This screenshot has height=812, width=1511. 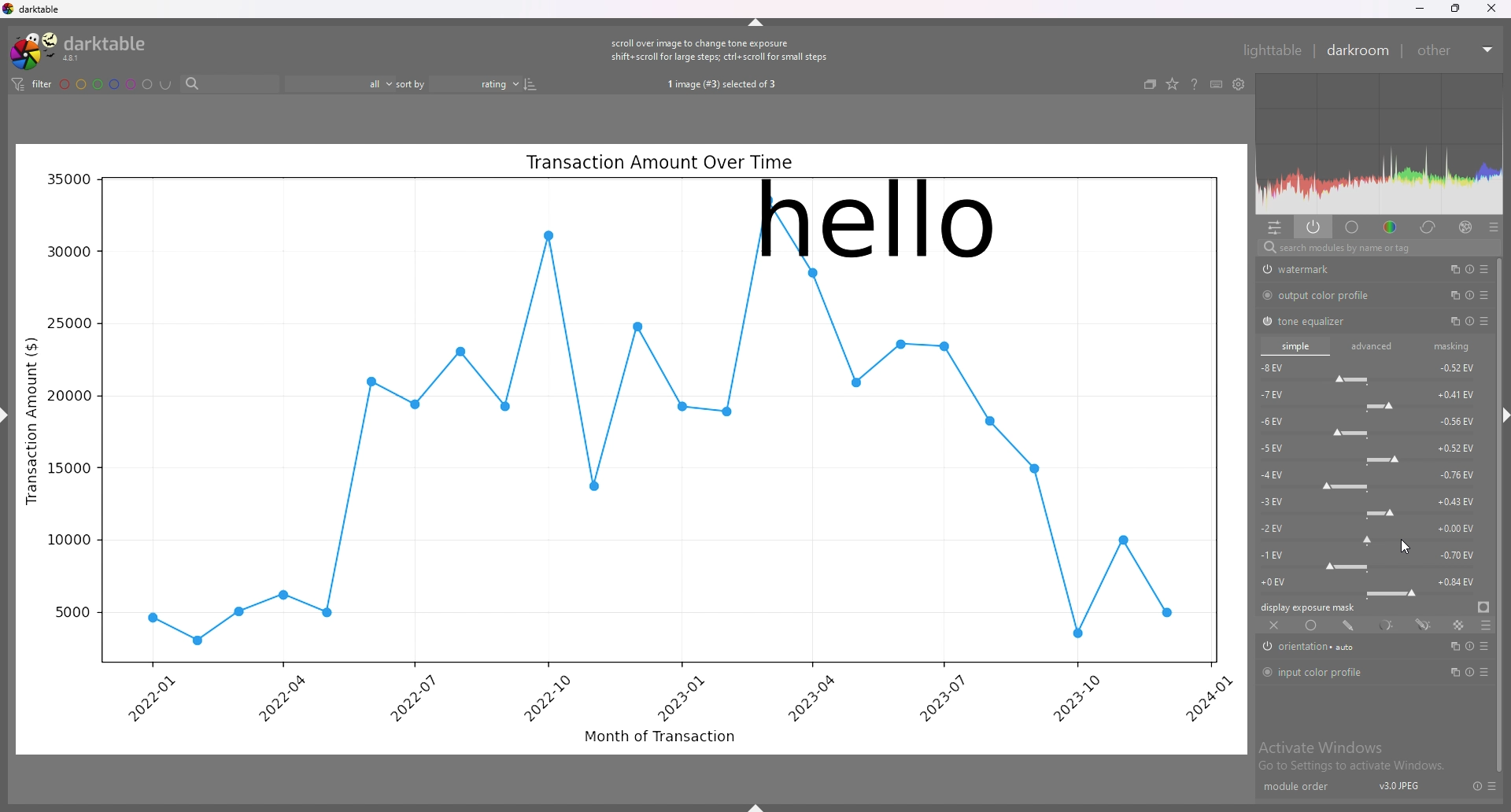 I want to click on color labels, so click(x=105, y=85).